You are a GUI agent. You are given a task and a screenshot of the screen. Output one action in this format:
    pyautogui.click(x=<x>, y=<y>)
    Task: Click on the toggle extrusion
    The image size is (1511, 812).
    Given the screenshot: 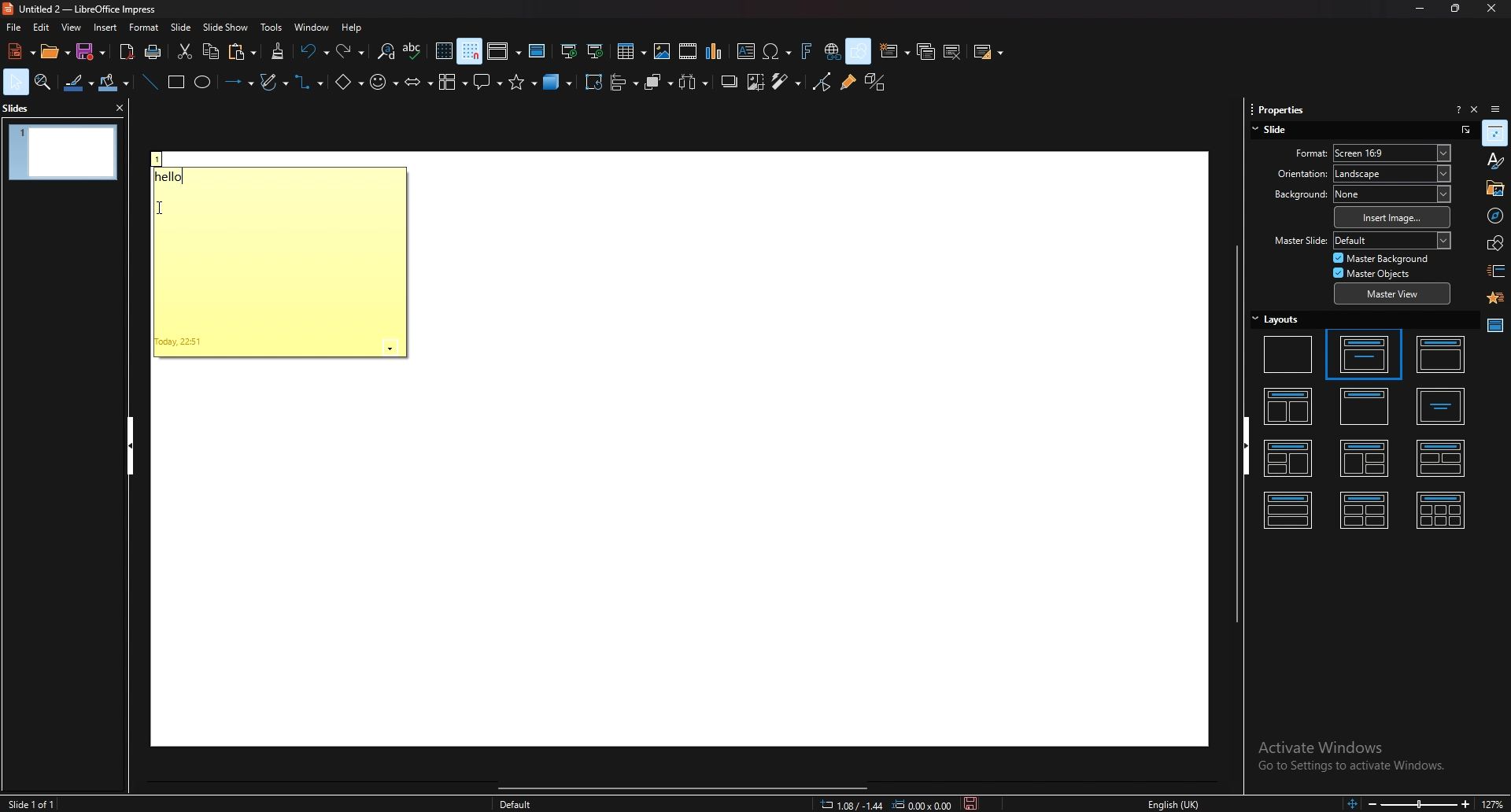 What is the action you would take?
    pyautogui.click(x=875, y=83)
    